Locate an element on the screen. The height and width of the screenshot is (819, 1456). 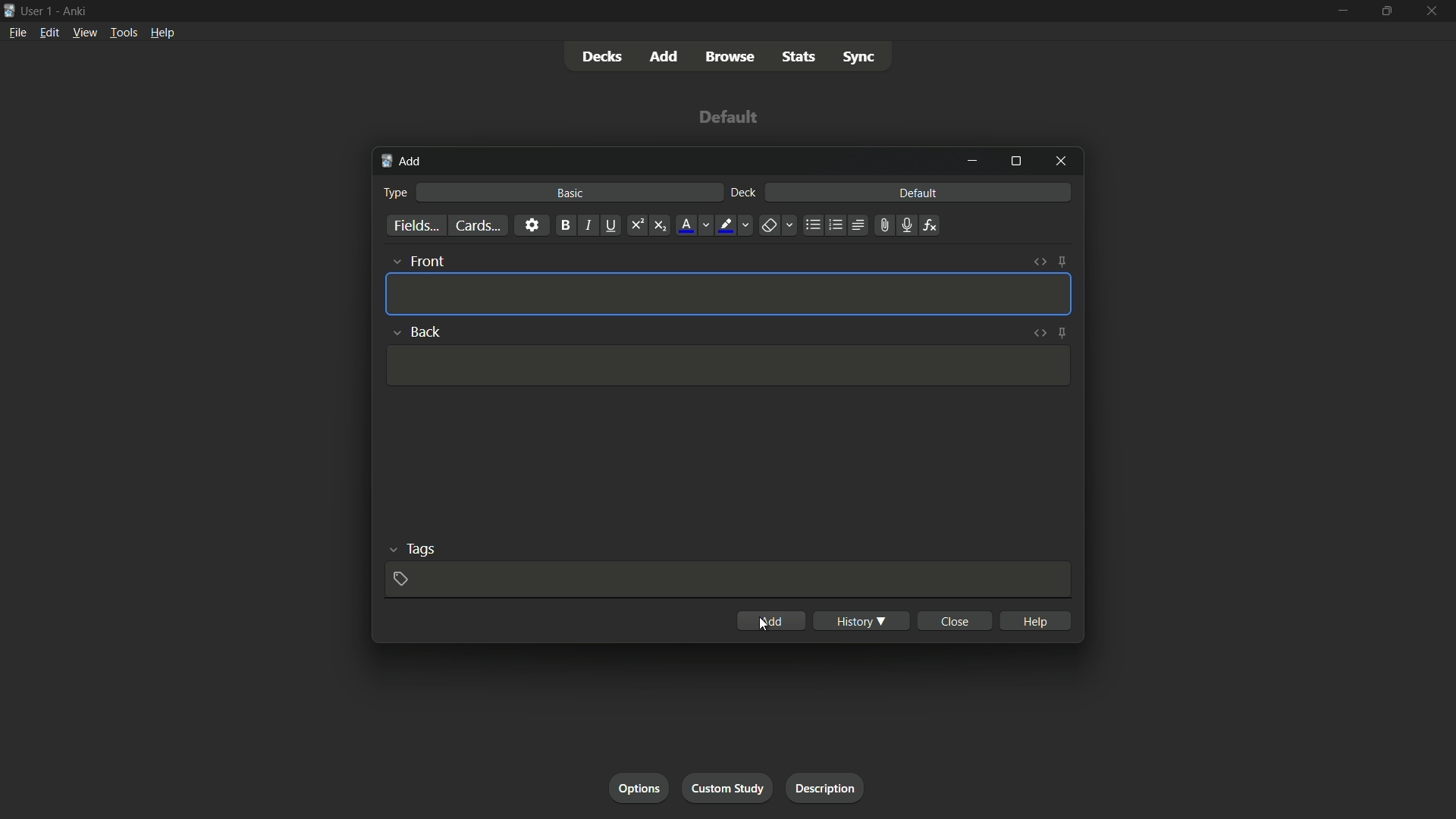
settings is located at coordinates (532, 225).